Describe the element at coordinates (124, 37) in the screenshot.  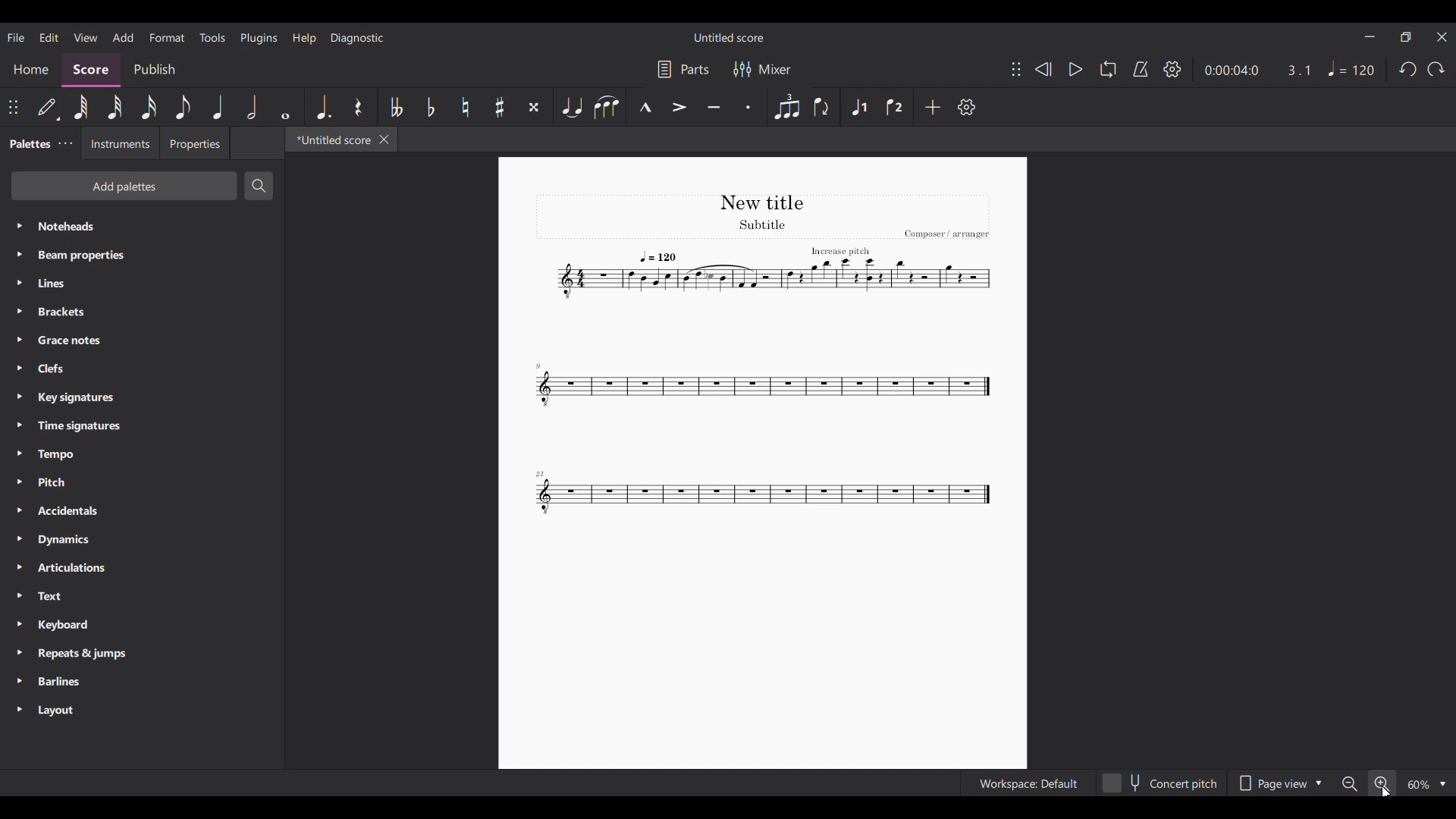
I see `Add menu` at that location.